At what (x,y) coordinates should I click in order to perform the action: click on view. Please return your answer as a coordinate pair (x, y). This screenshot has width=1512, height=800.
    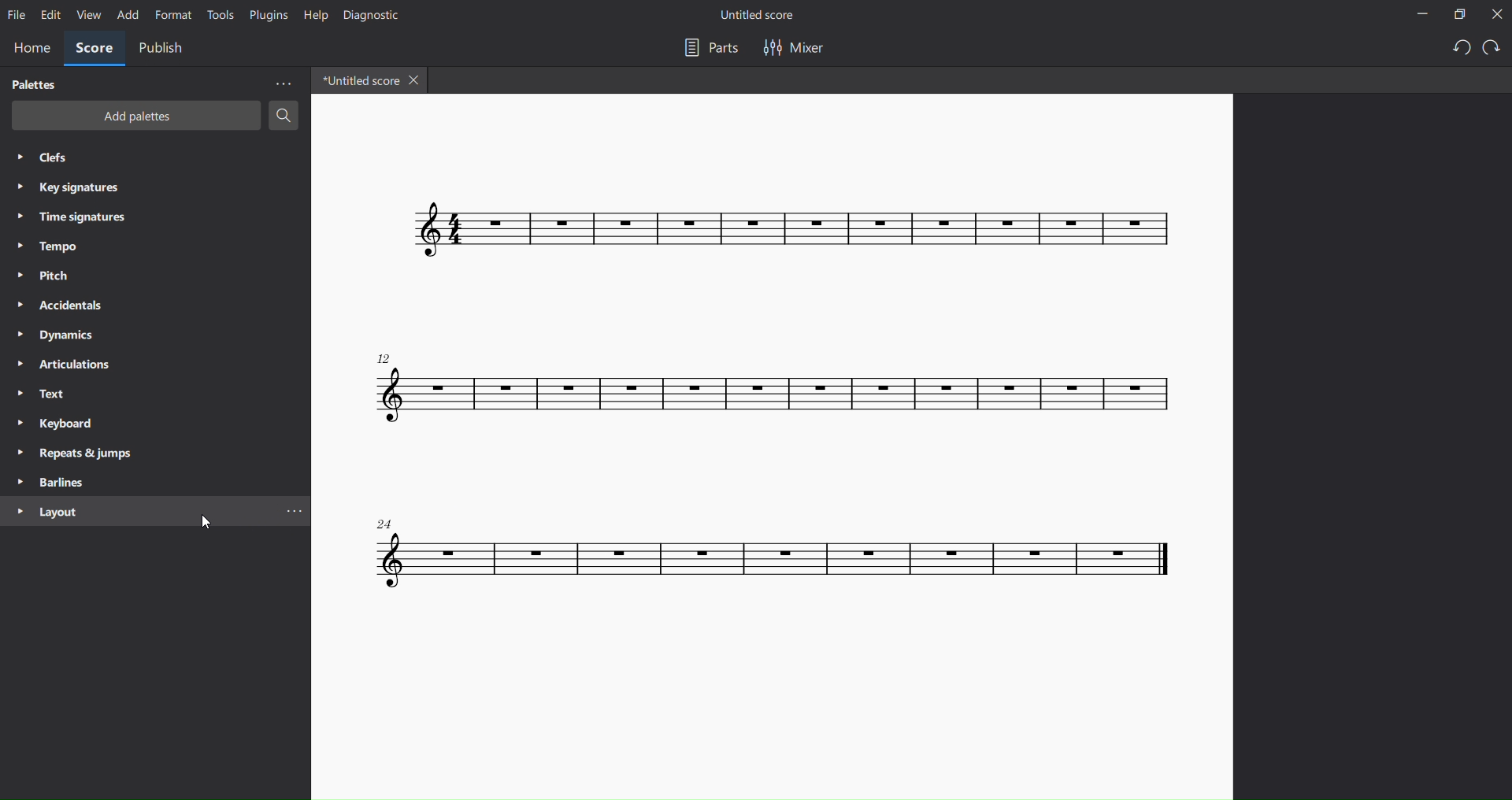
    Looking at the image, I should click on (87, 17).